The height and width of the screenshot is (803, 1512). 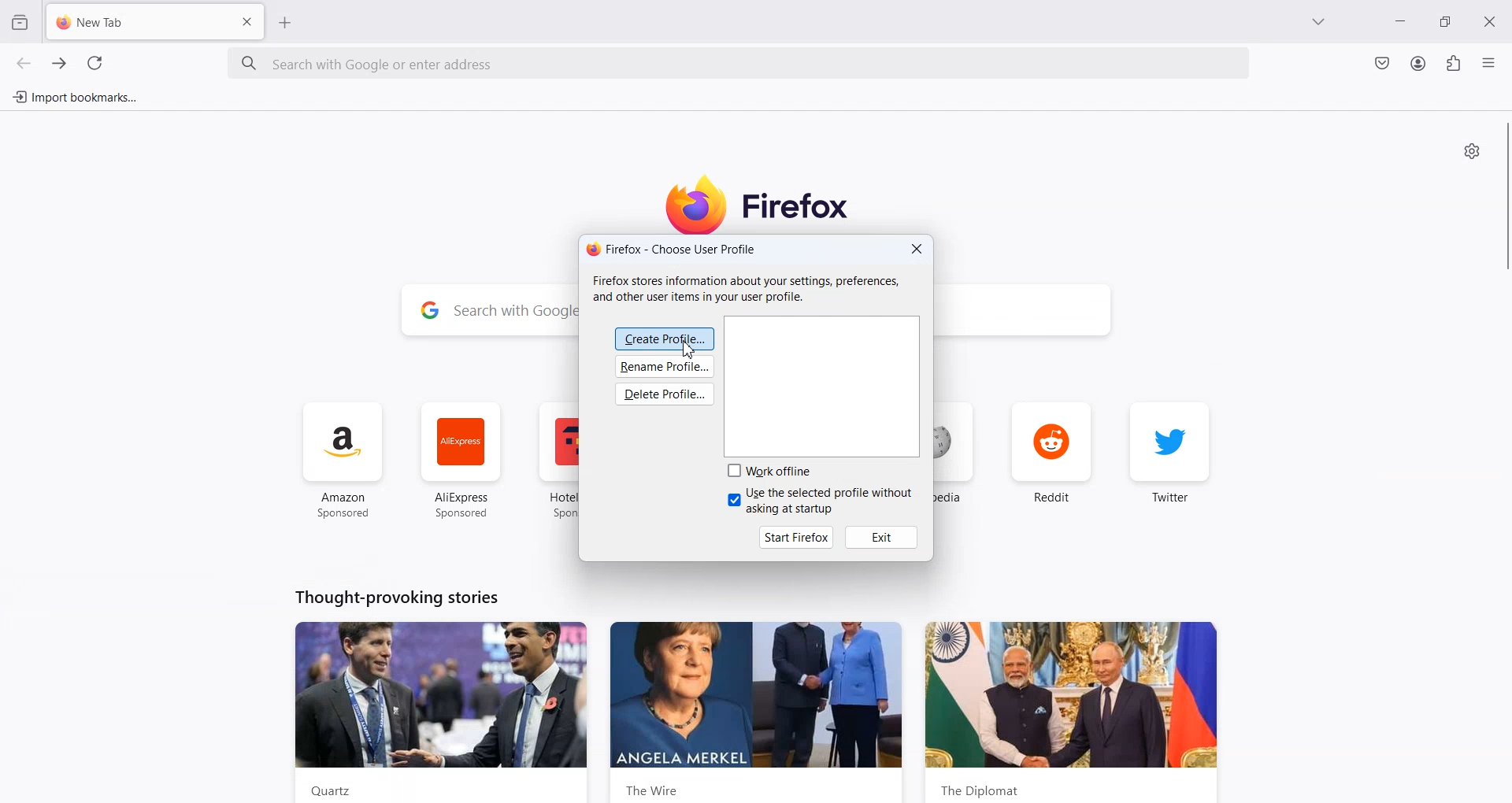 I want to click on Firefox stores information about your settings, preferences,
and other user items in your user profile., so click(x=752, y=289).